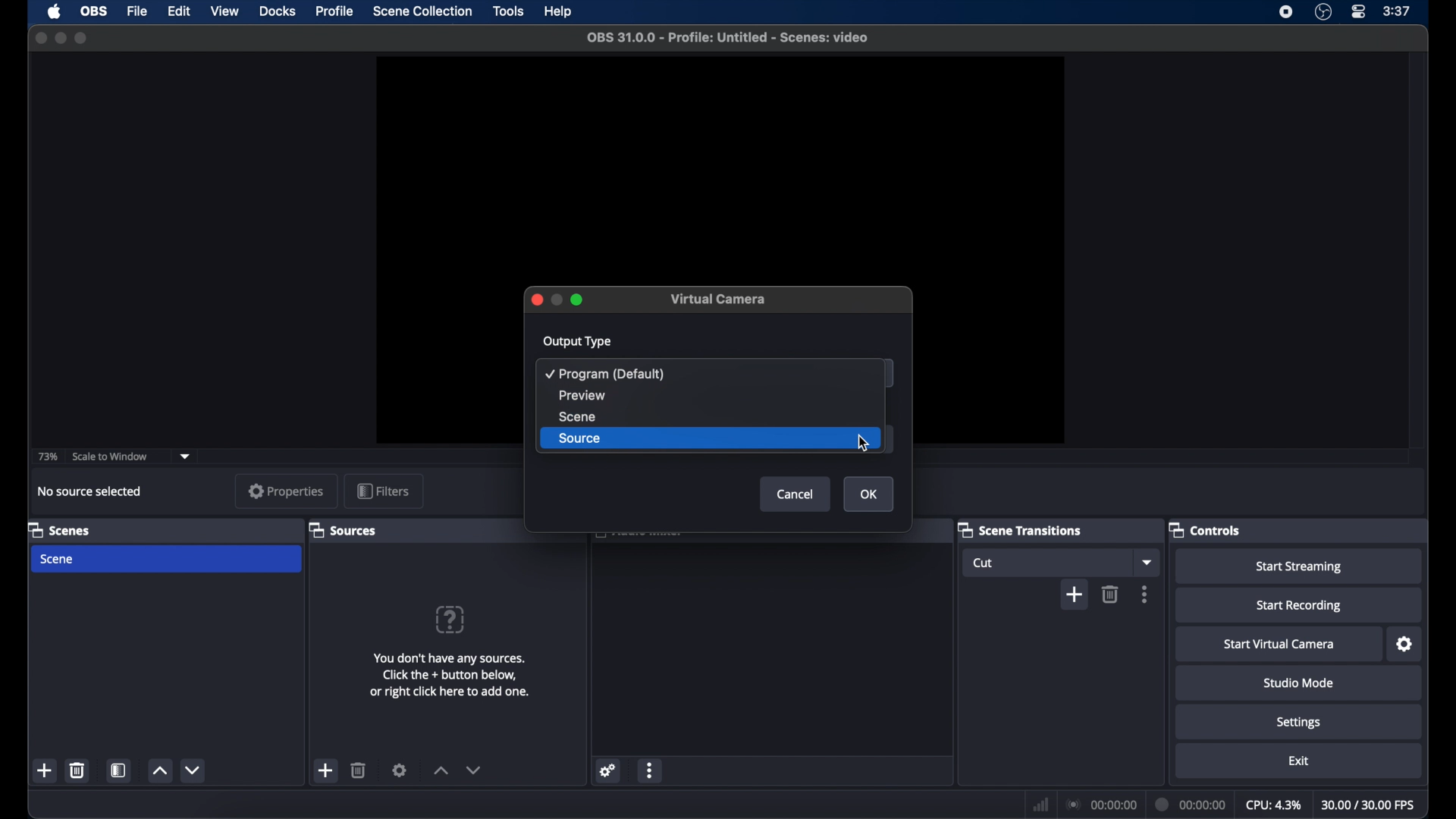 This screenshot has width=1456, height=819. What do you see at coordinates (1205, 529) in the screenshot?
I see `controls` at bounding box center [1205, 529].